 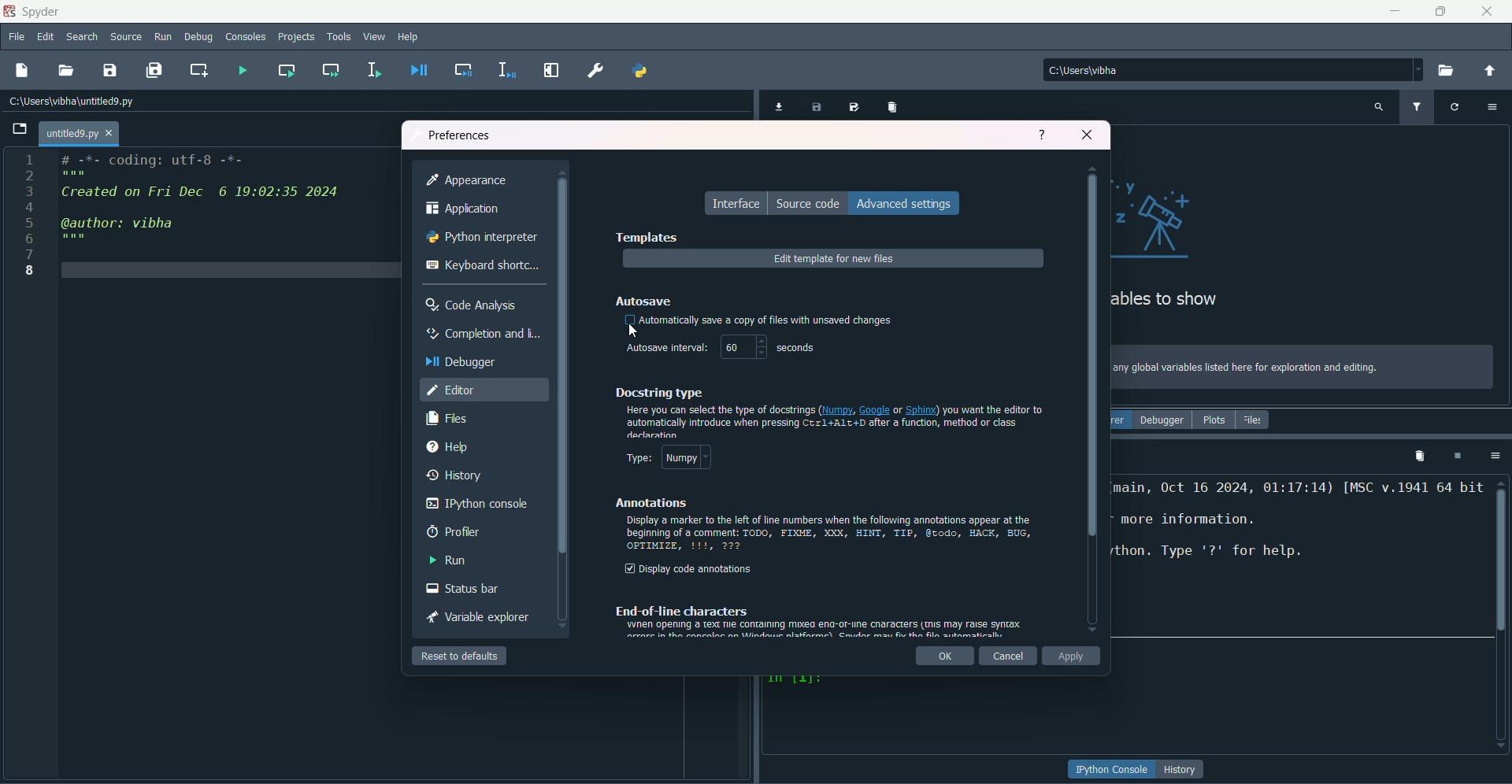 I want to click on variable explorer, so click(x=476, y=618).